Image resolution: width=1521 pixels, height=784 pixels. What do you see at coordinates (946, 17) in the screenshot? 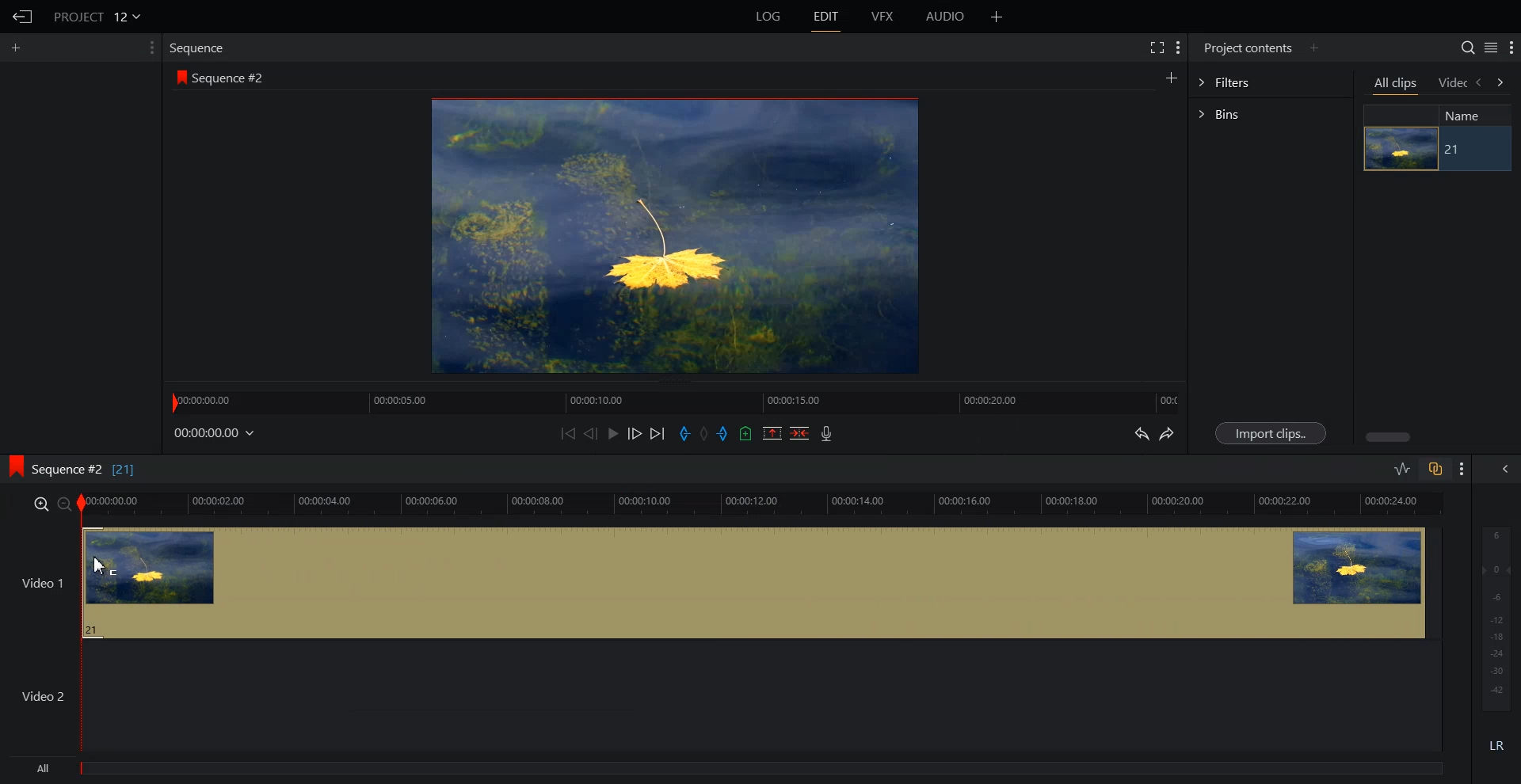
I see `AUDIO` at bounding box center [946, 17].